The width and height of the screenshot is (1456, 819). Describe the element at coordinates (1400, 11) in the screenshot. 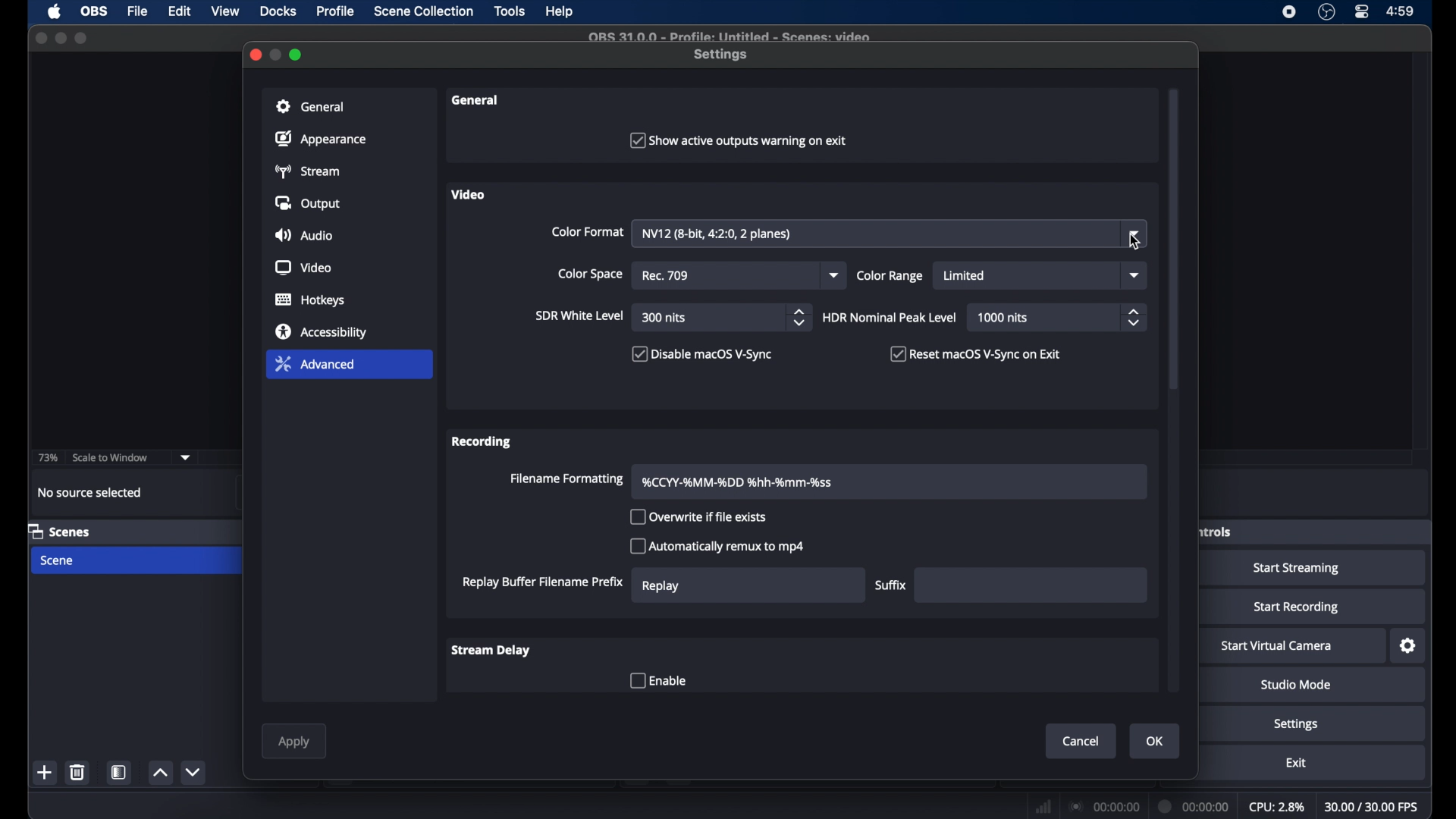

I see `4:59` at that location.